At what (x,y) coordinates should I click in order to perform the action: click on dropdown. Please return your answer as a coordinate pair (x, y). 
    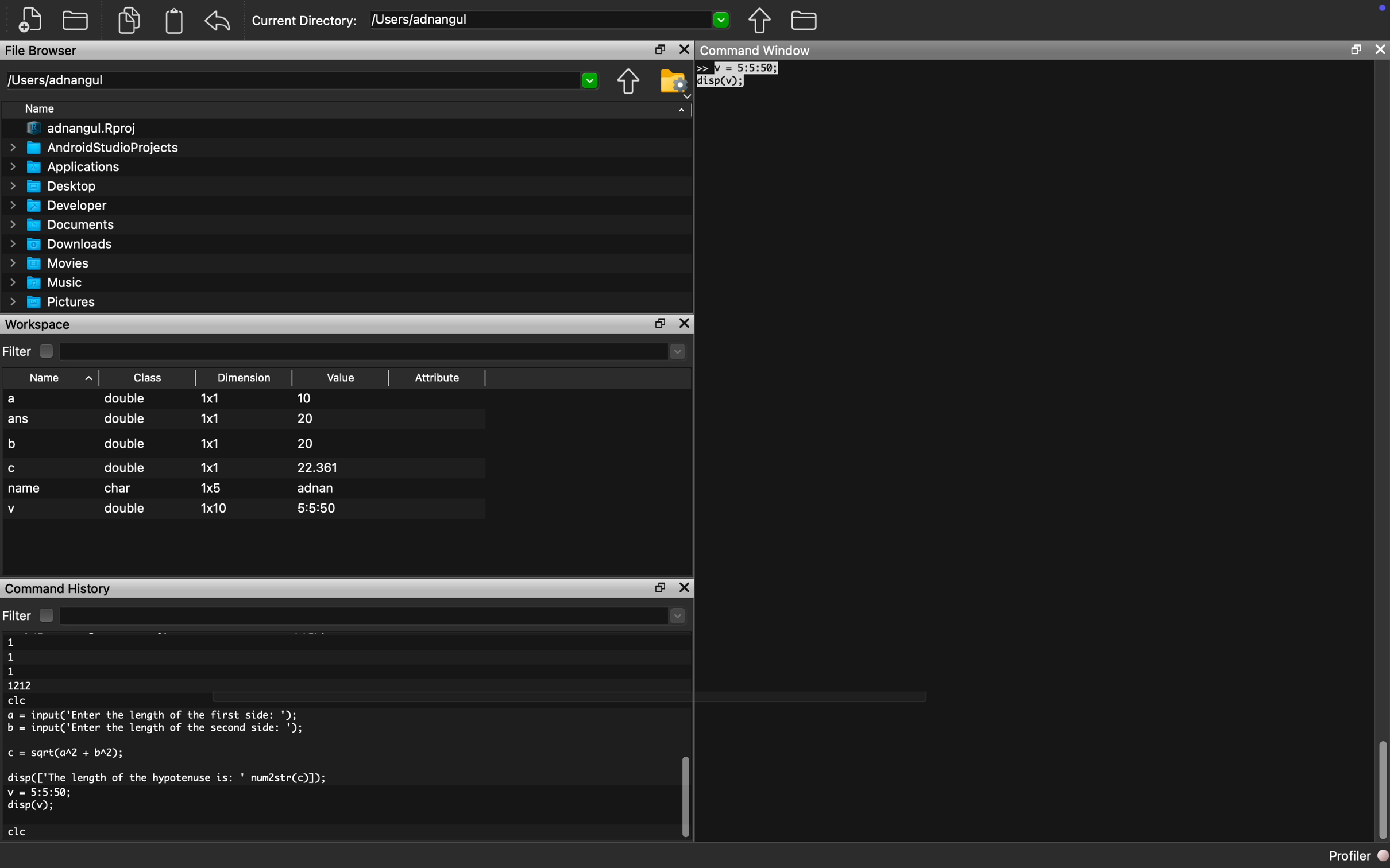
    Looking at the image, I should click on (678, 617).